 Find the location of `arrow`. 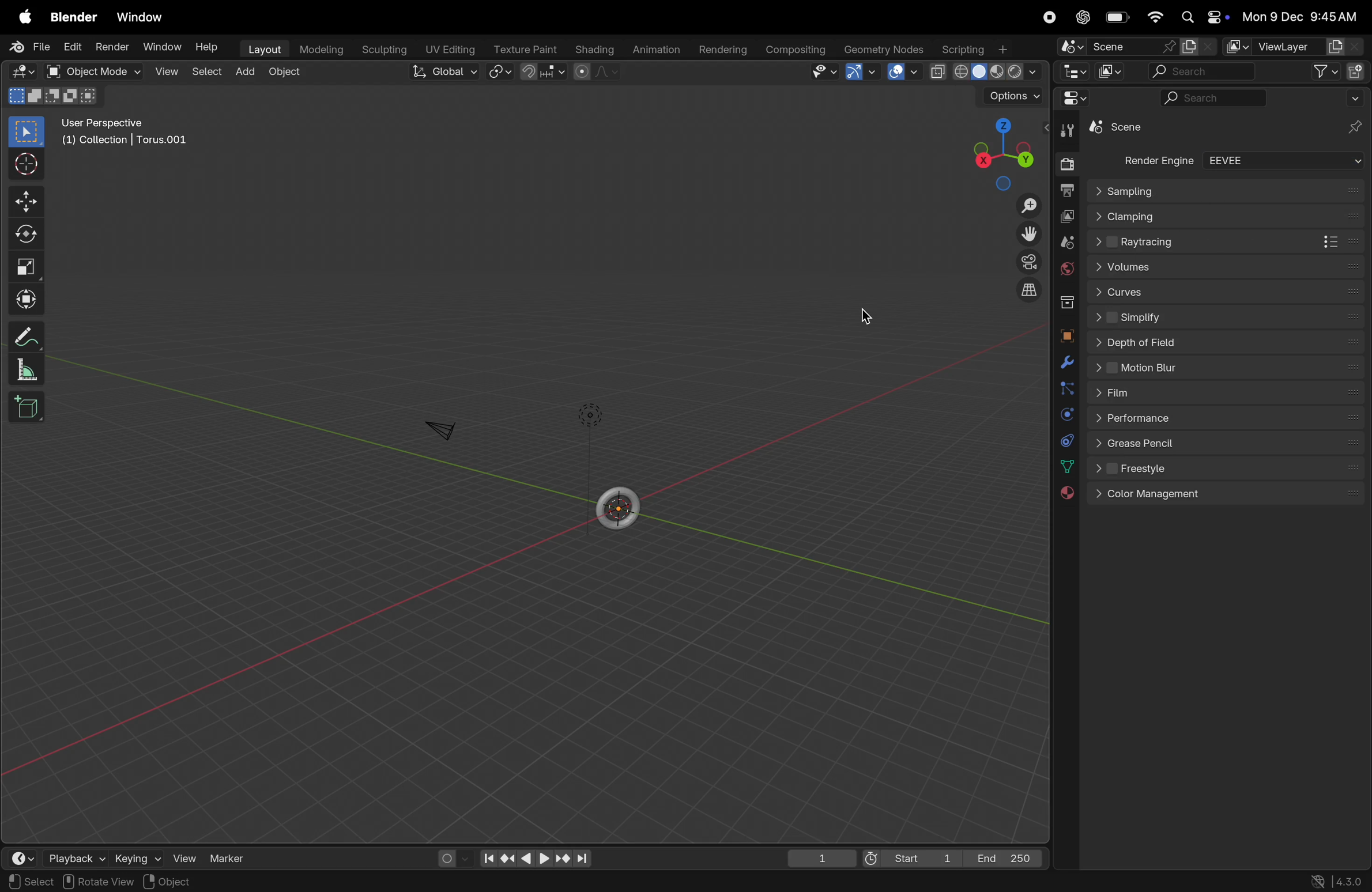

arrow is located at coordinates (861, 74).